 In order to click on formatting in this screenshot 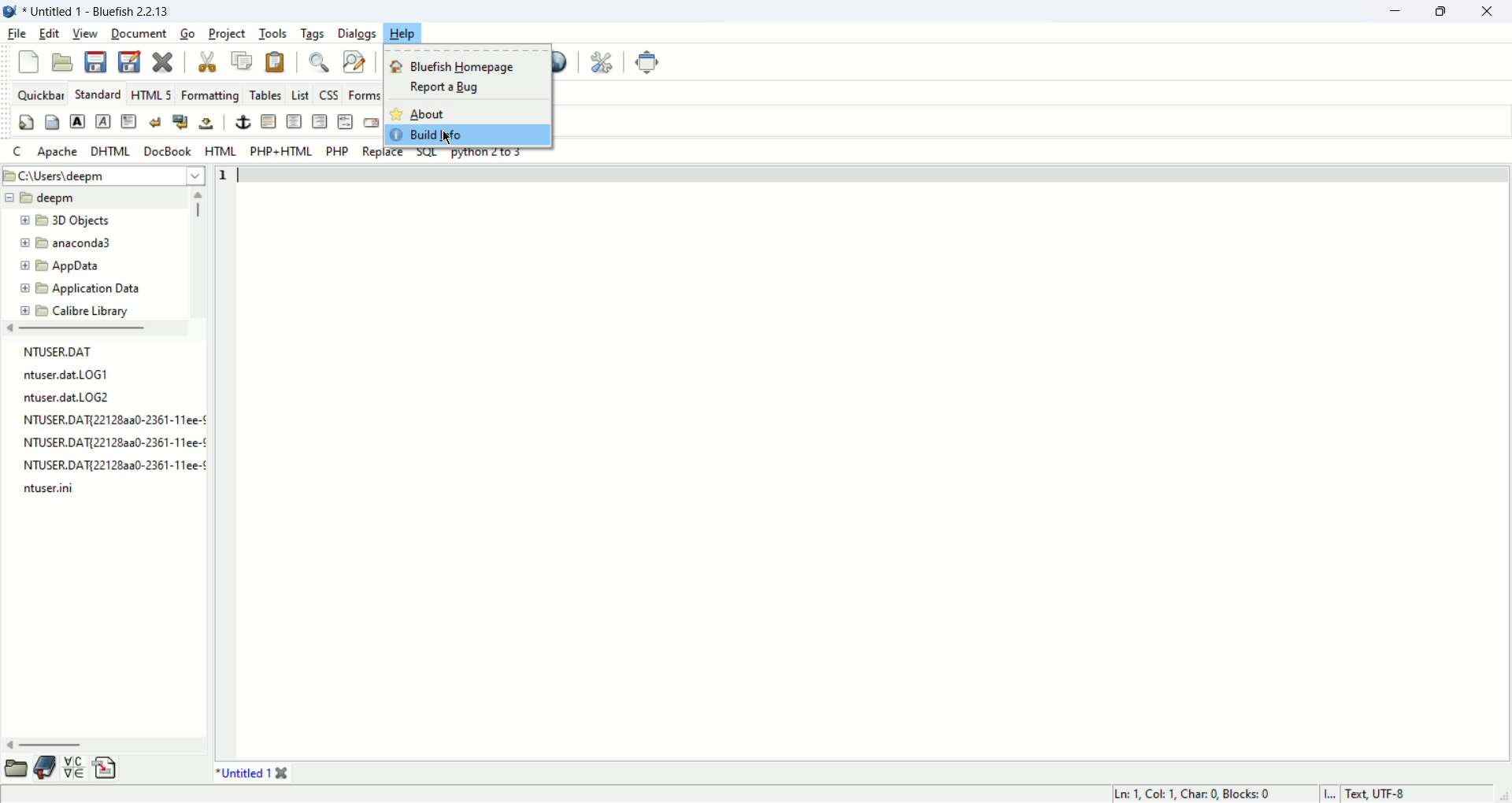, I will do `click(209, 94)`.